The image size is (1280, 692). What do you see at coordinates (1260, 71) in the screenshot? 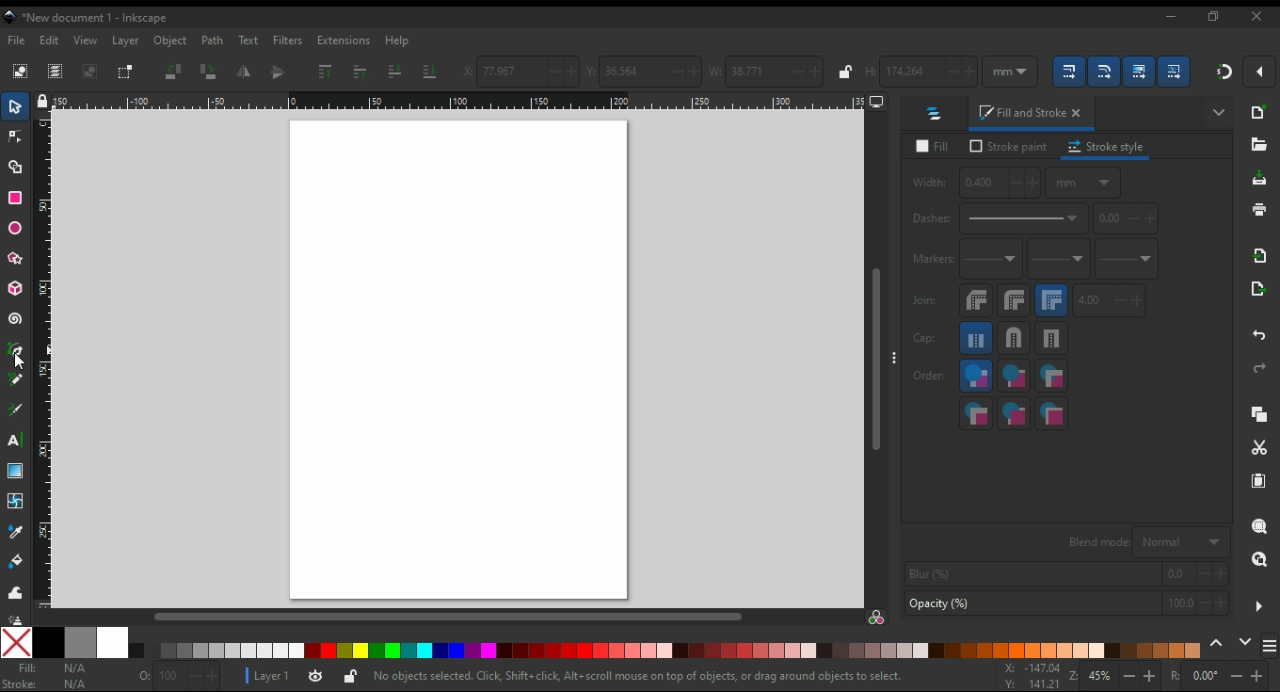
I see `snapping options` at bounding box center [1260, 71].